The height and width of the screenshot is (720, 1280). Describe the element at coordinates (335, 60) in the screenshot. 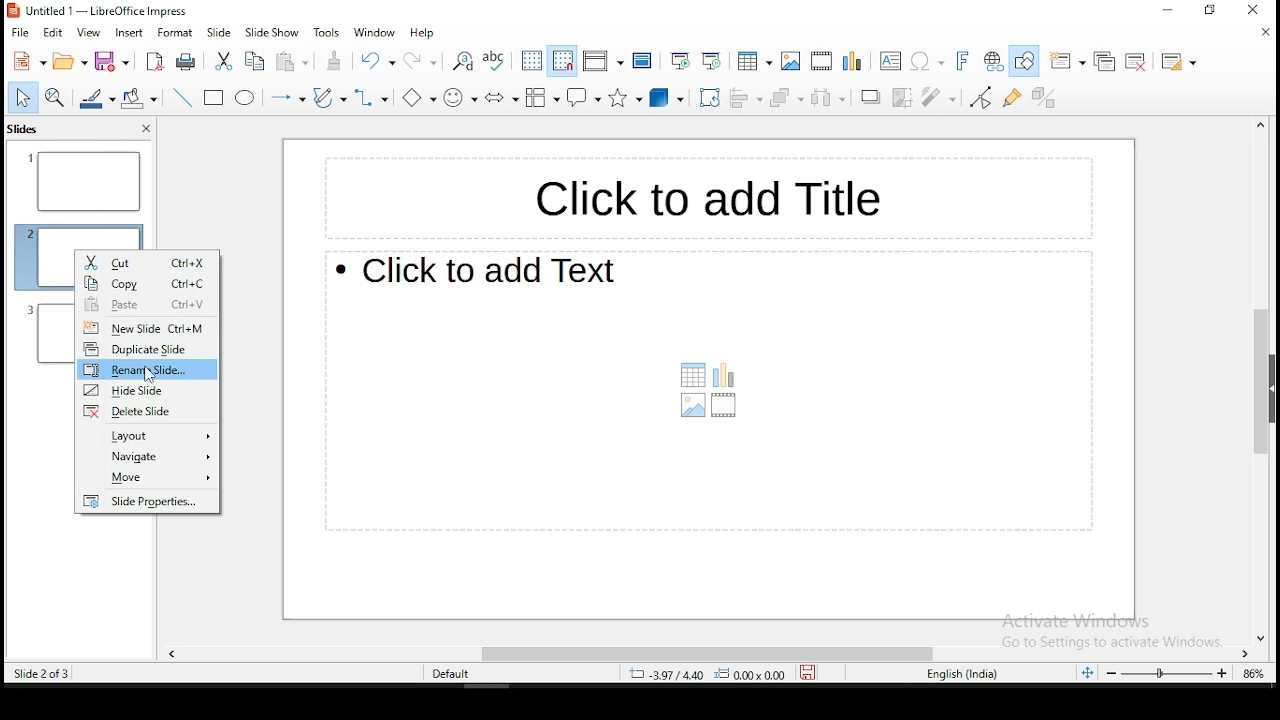

I see `clone formatting` at that location.